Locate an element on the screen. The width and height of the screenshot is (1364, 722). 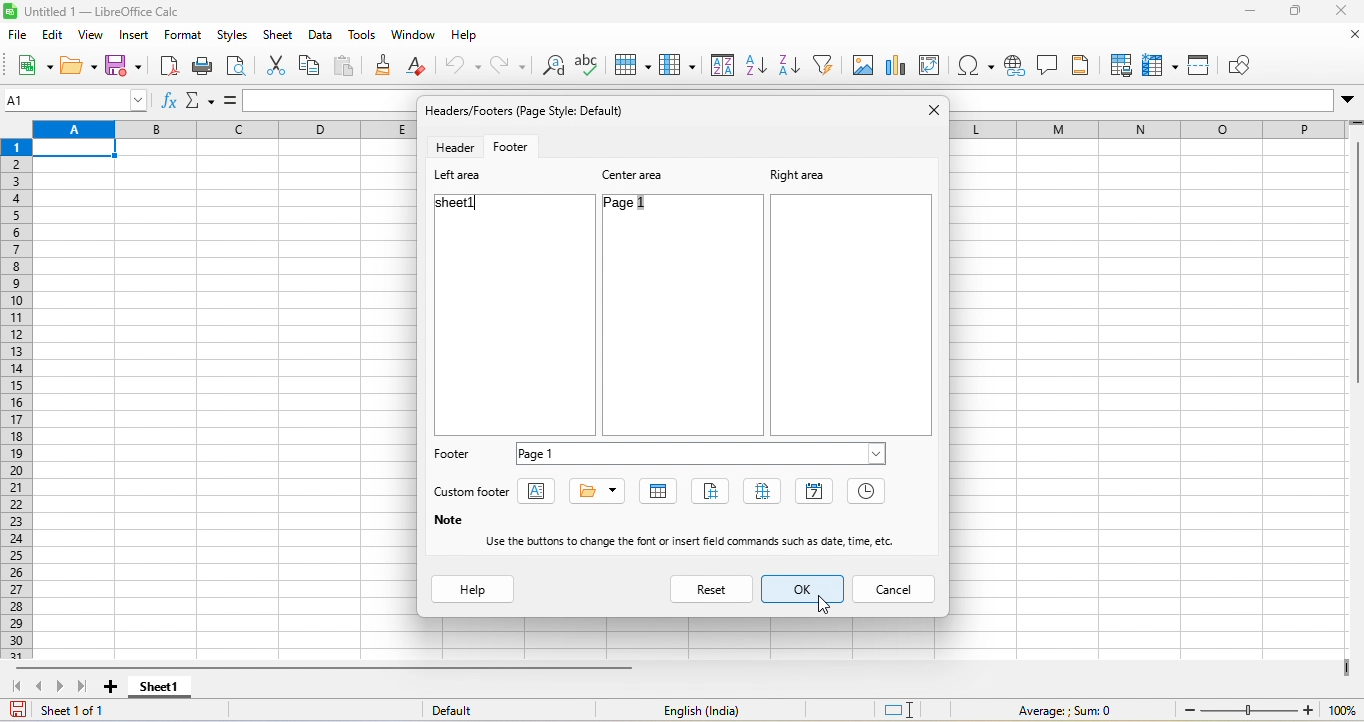
right area is located at coordinates (796, 174).